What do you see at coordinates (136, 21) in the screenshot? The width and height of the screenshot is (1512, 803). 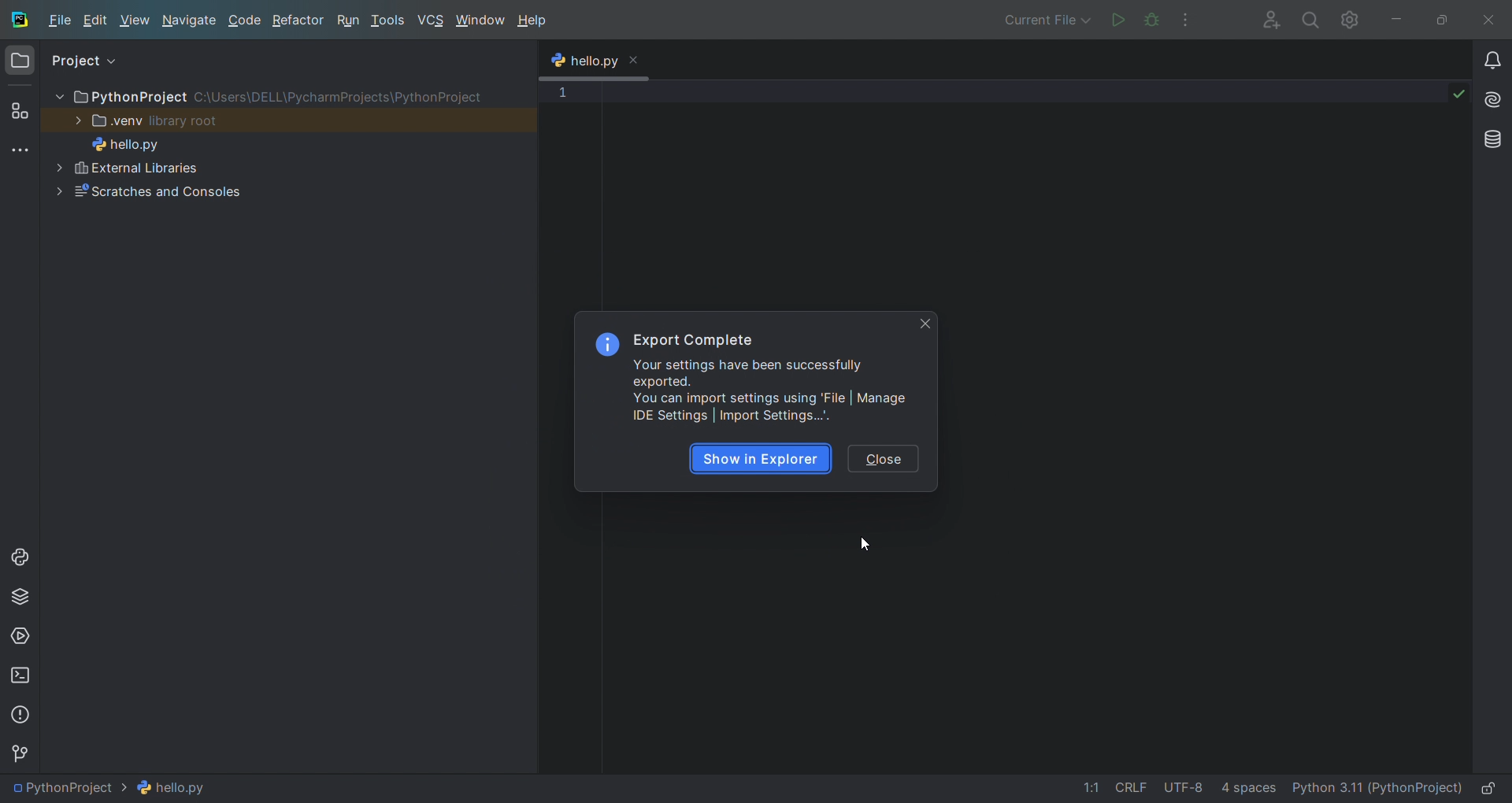 I see `view` at bounding box center [136, 21].